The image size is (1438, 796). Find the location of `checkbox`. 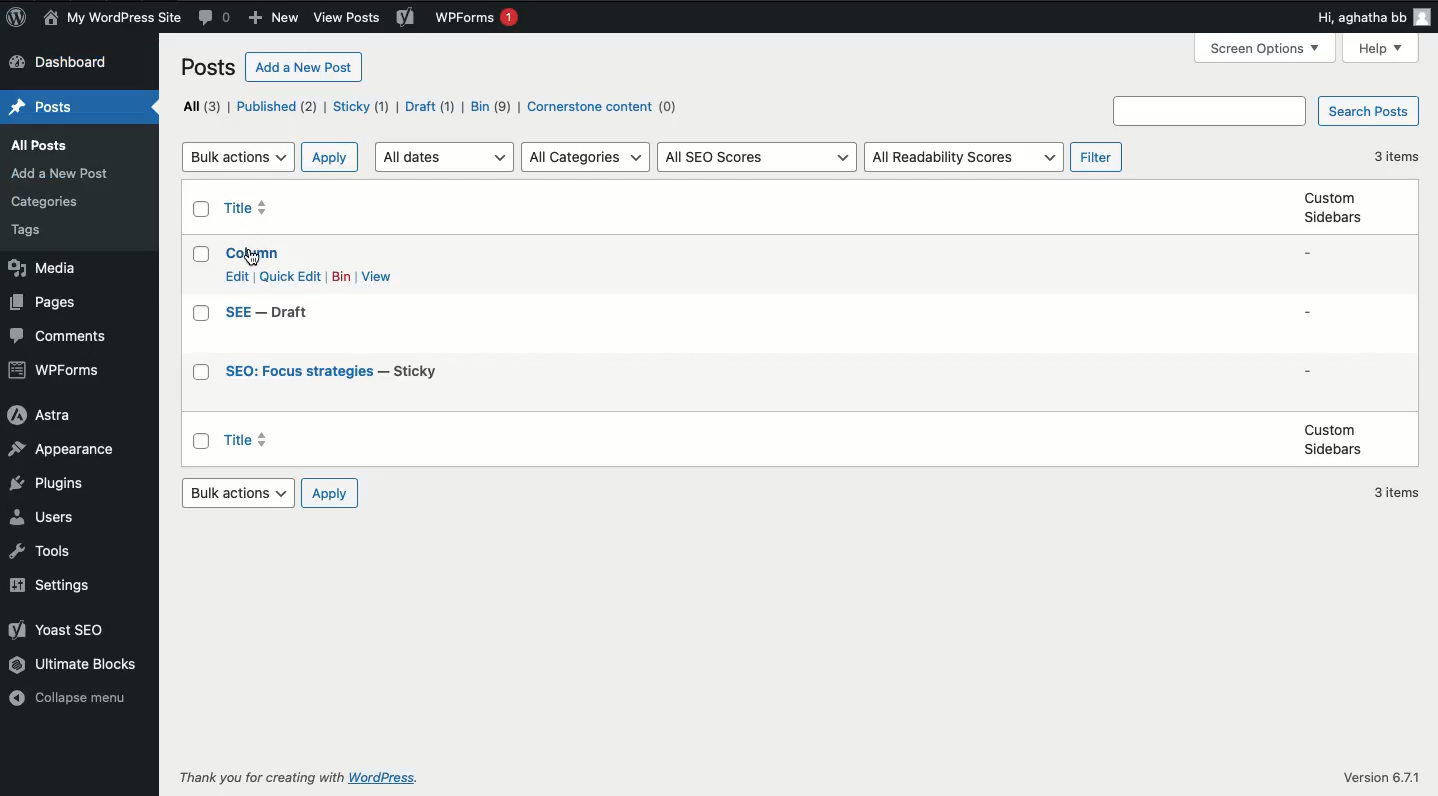

checkbox is located at coordinates (201, 209).